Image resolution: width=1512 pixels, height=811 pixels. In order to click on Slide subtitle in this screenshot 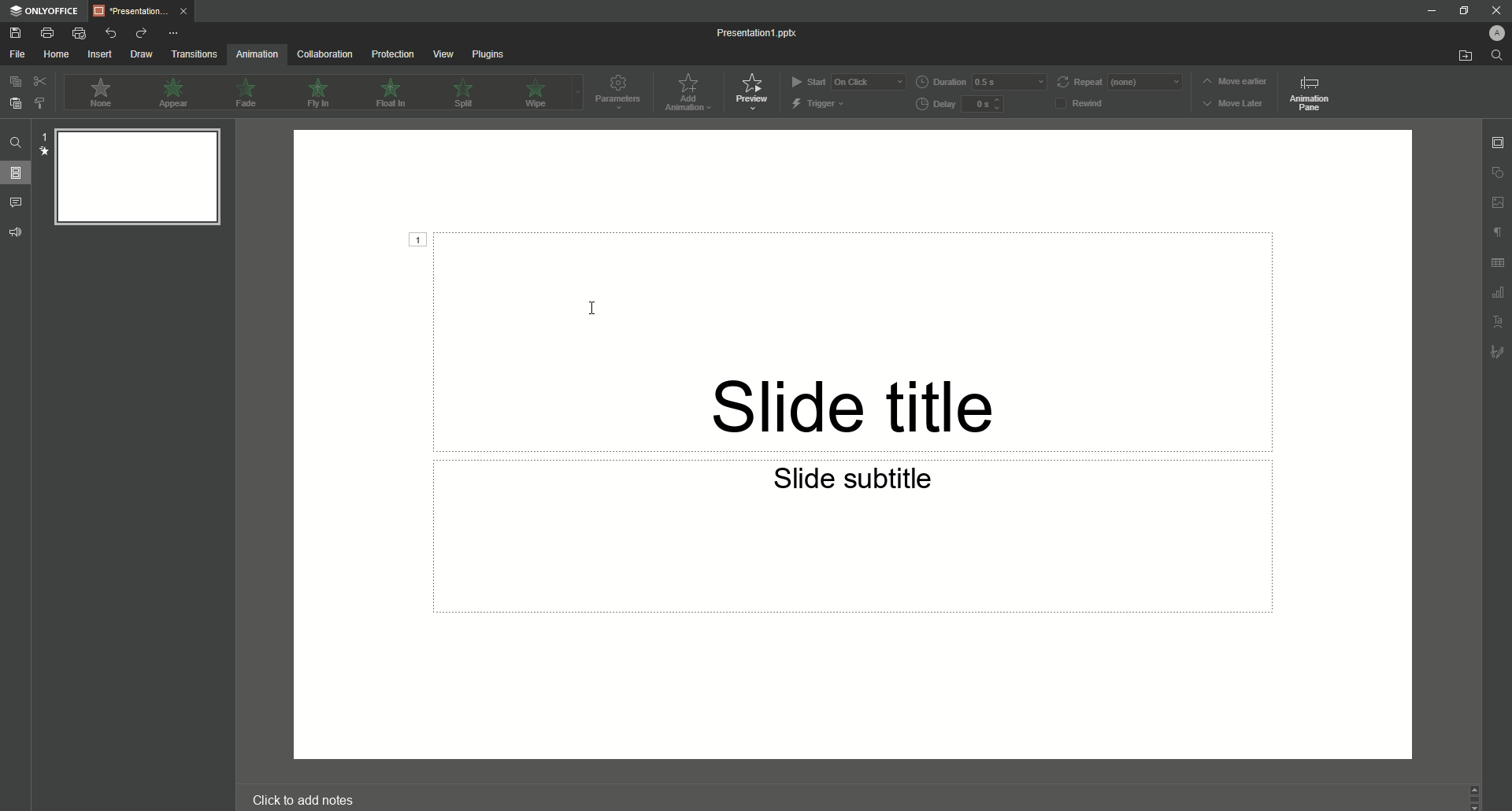, I will do `click(855, 484)`.